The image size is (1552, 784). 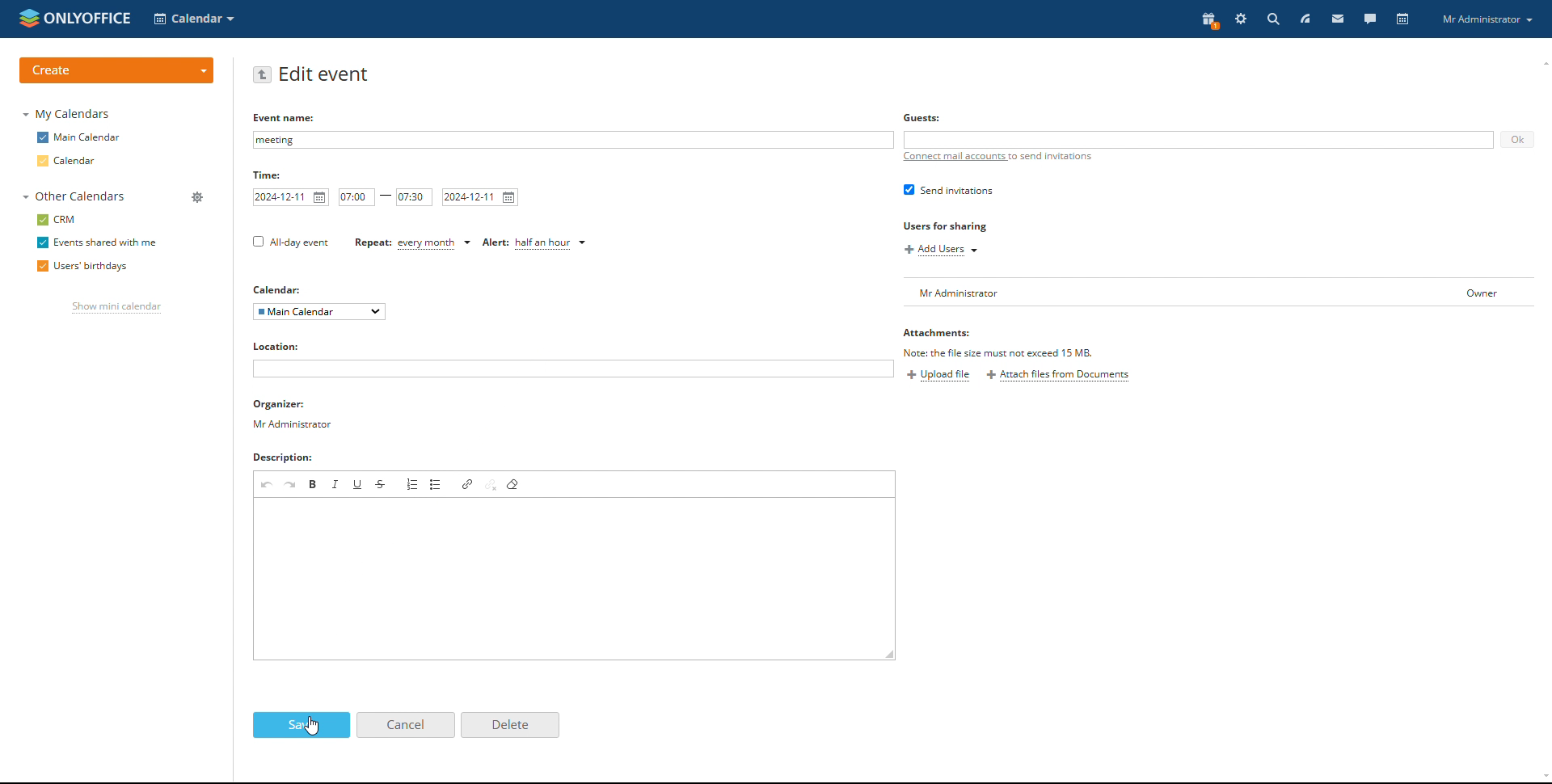 I want to click on crm, so click(x=57, y=220).